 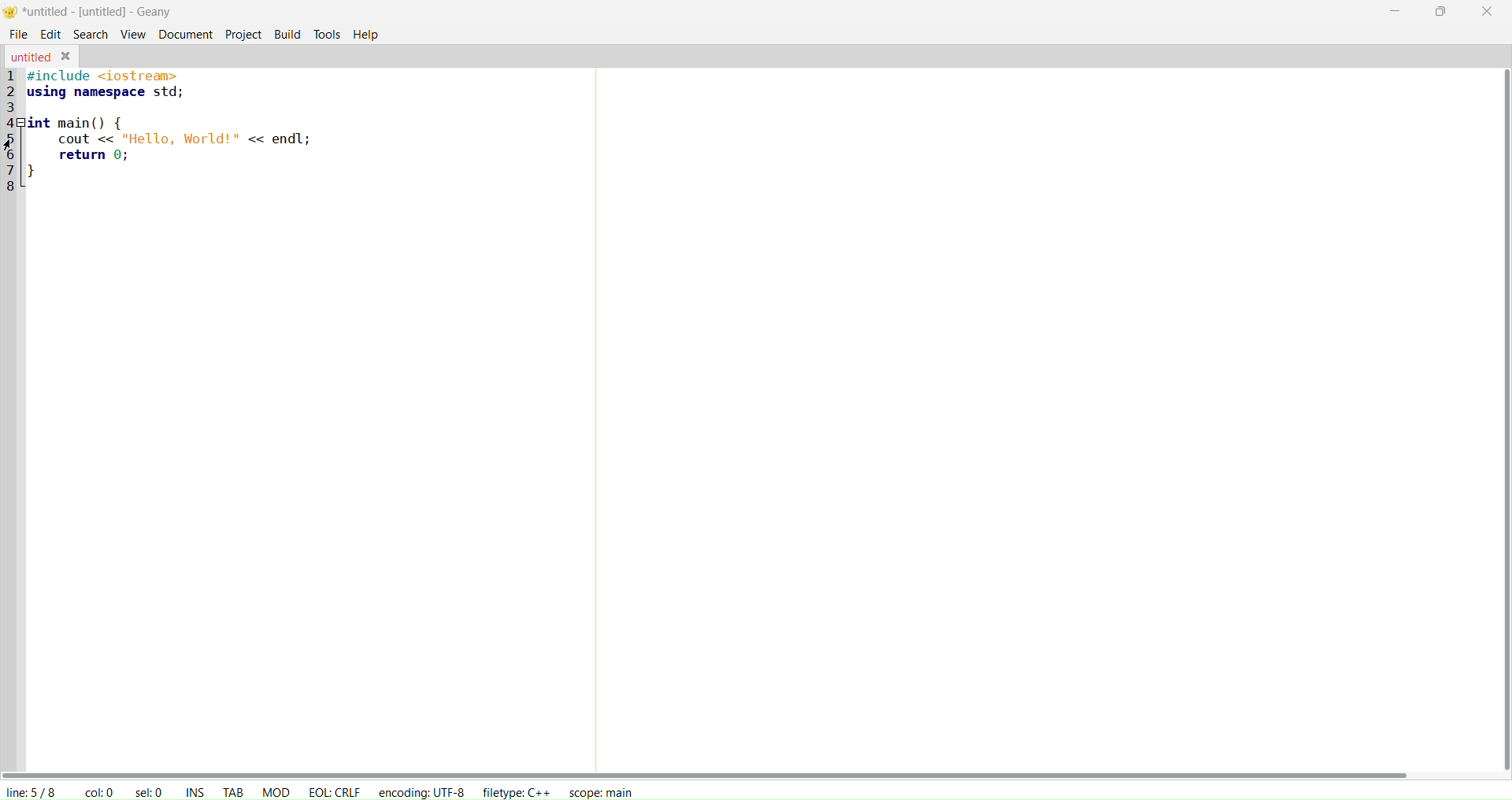 I want to click on horizonal scroll bar, so click(x=705, y=770).